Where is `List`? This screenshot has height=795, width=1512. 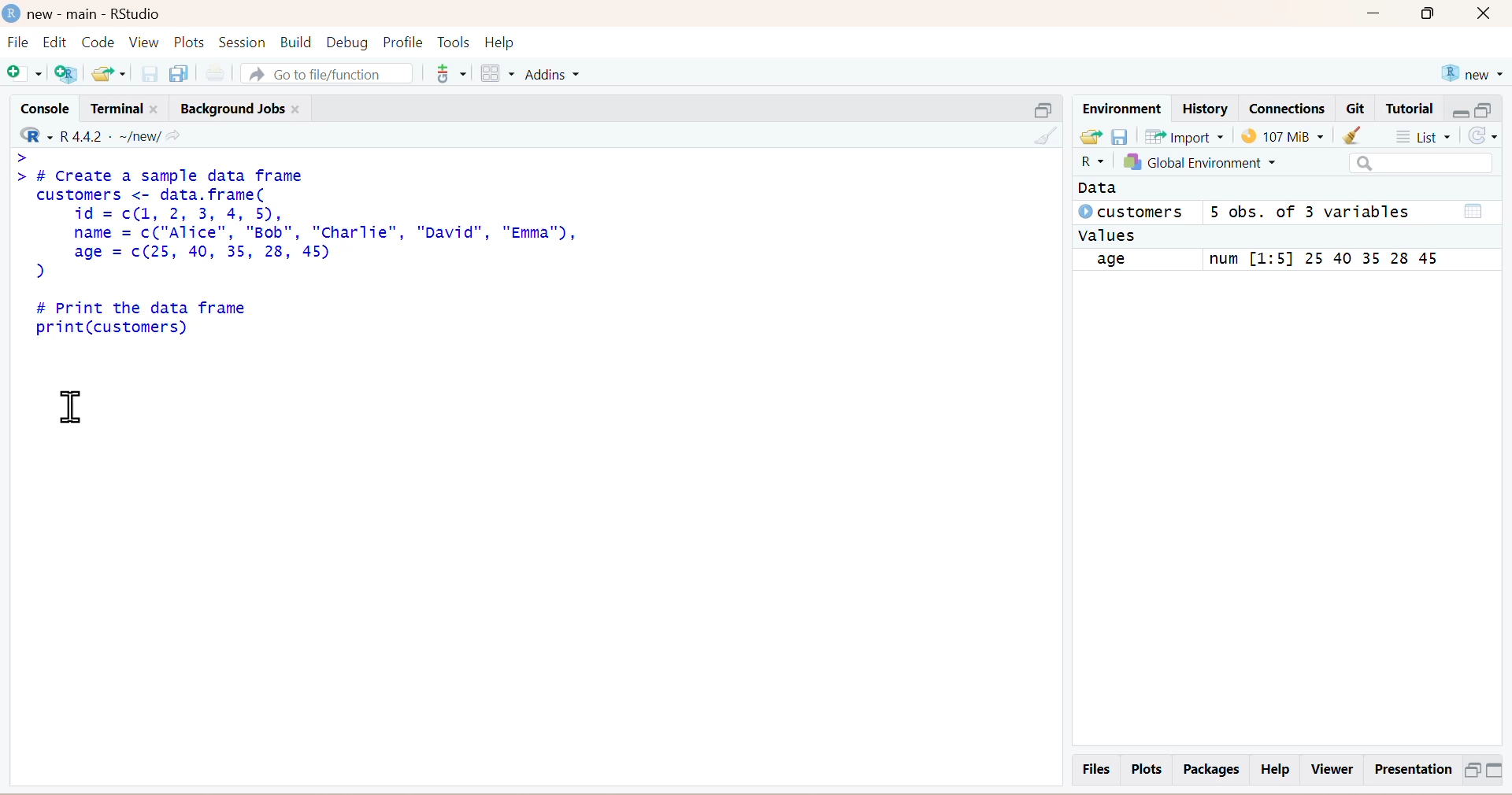 List is located at coordinates (1428, 136).